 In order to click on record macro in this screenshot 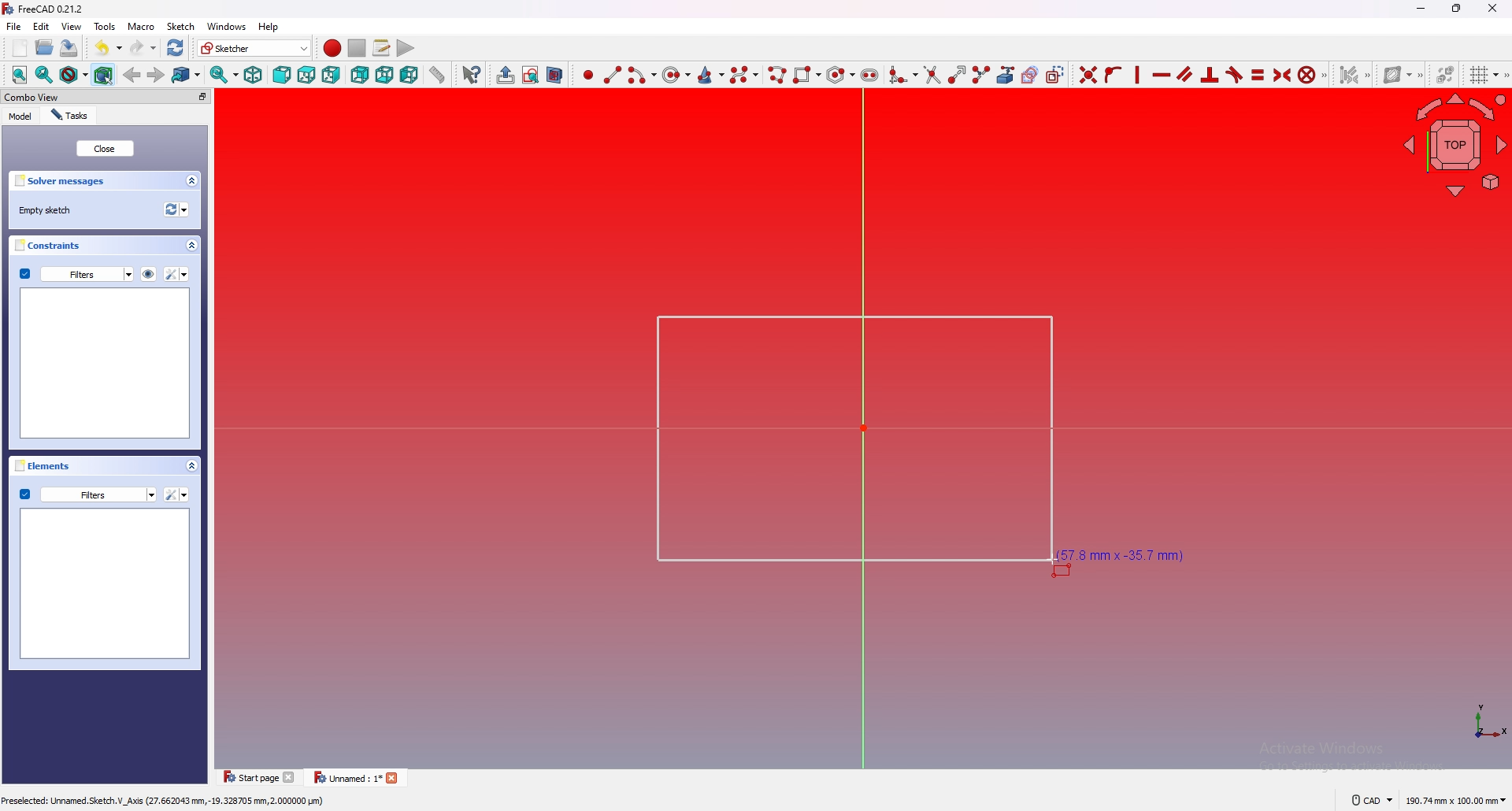, I will do `click(333, 48)`.